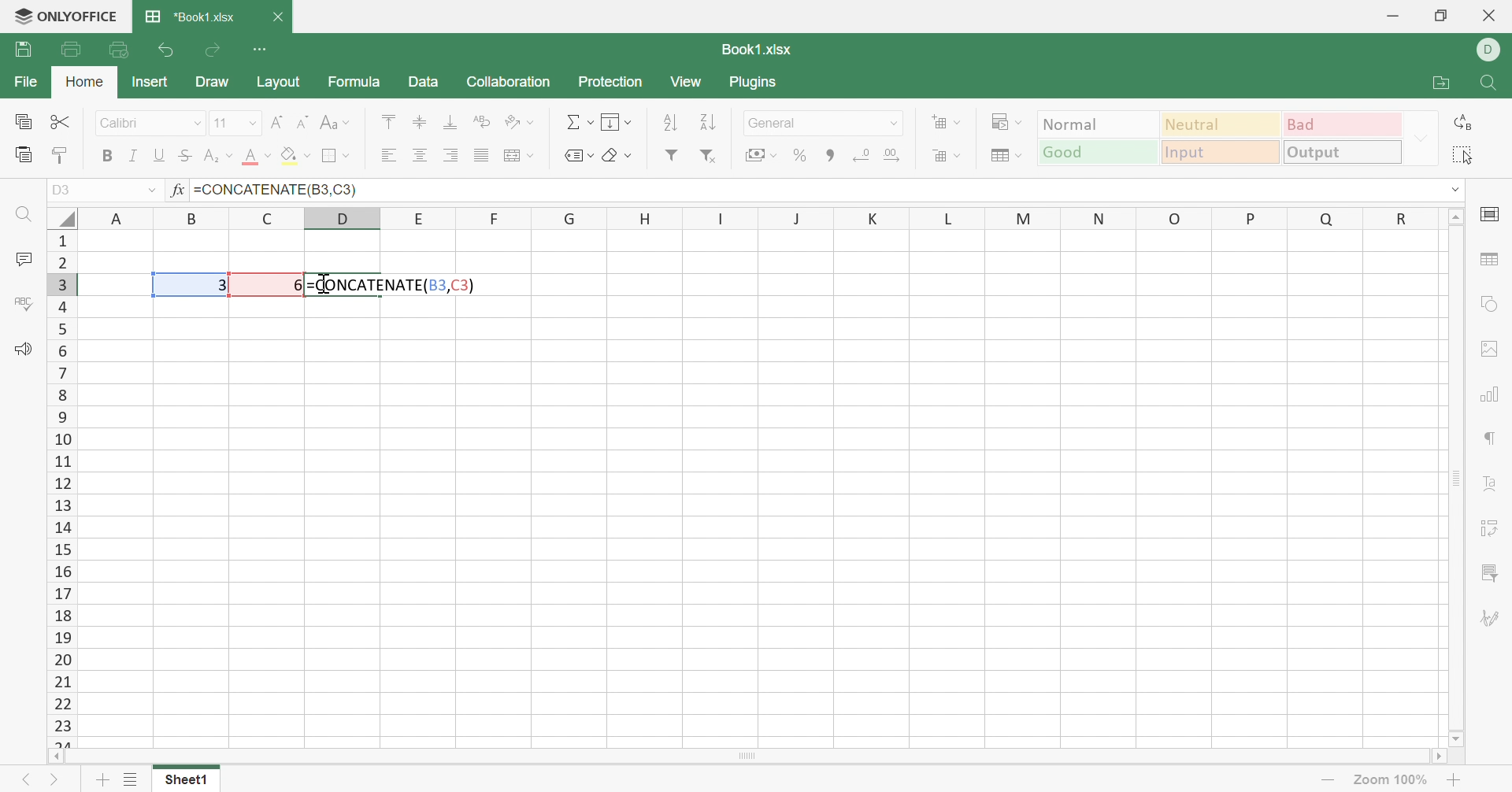 This screenshot has height=792, width=1512. I want to click on Fill color, so click(295, 156).